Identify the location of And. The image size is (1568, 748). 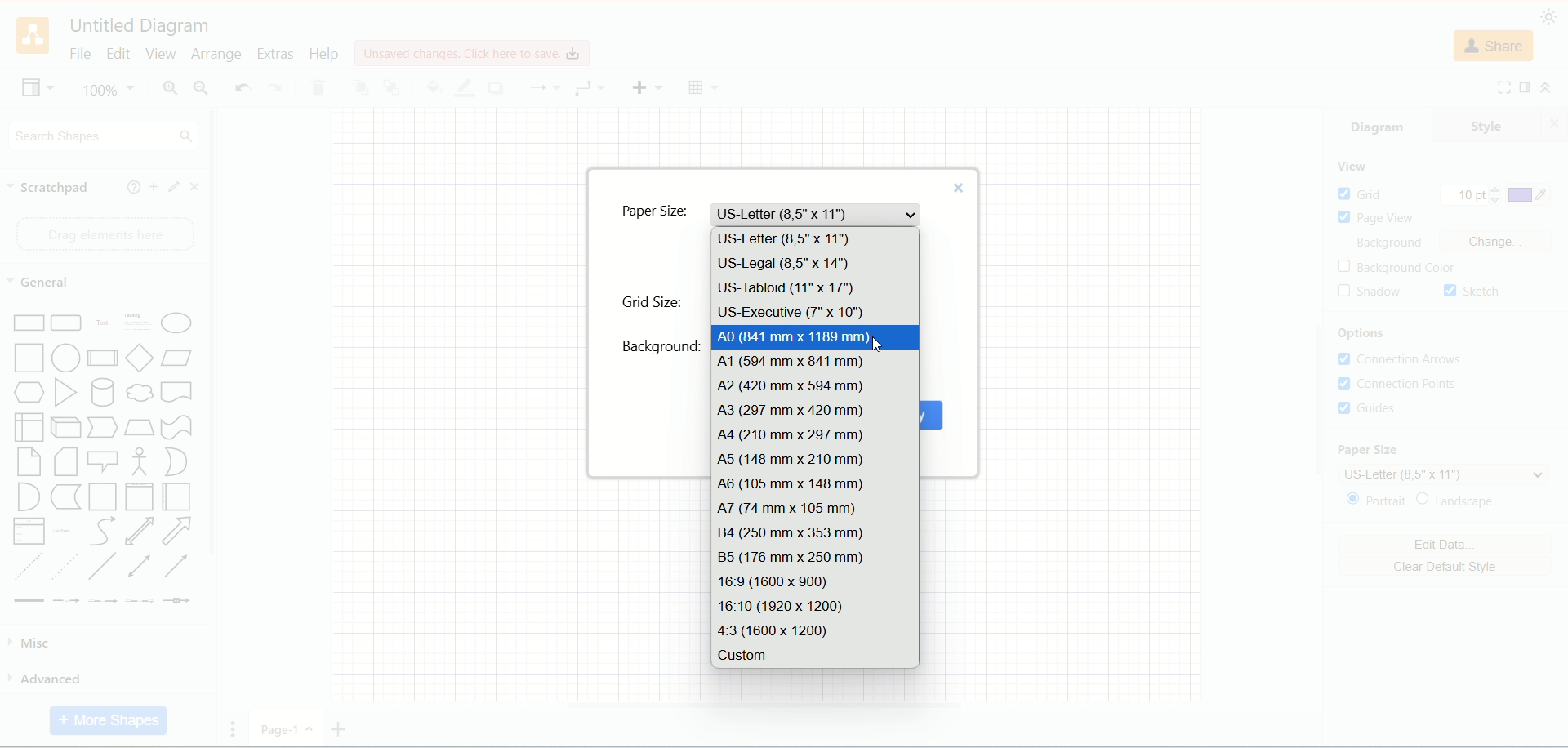
(26, 496).